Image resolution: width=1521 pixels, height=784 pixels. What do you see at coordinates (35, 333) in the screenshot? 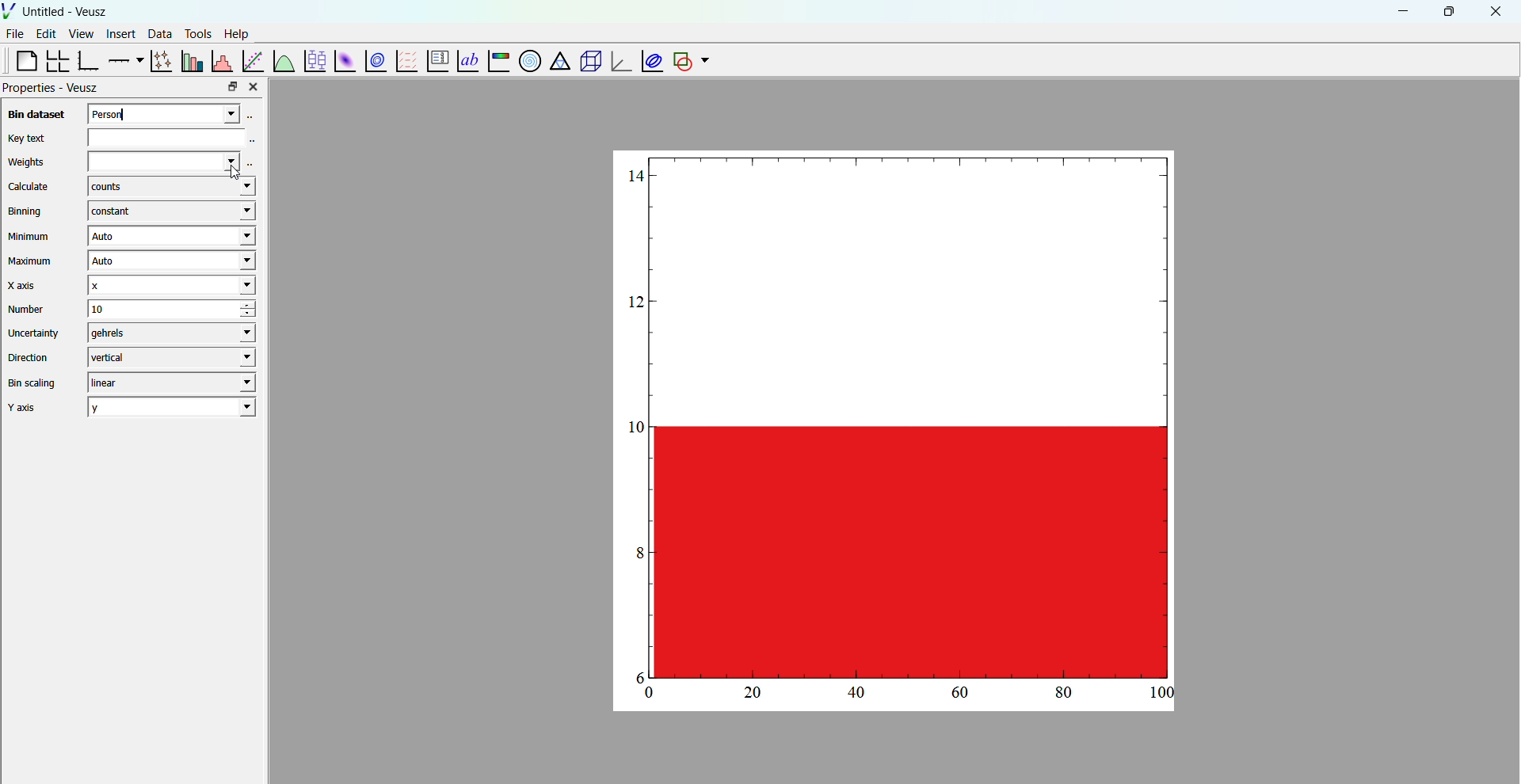
I see `Uncertainty` at bounding box center [35, 333].